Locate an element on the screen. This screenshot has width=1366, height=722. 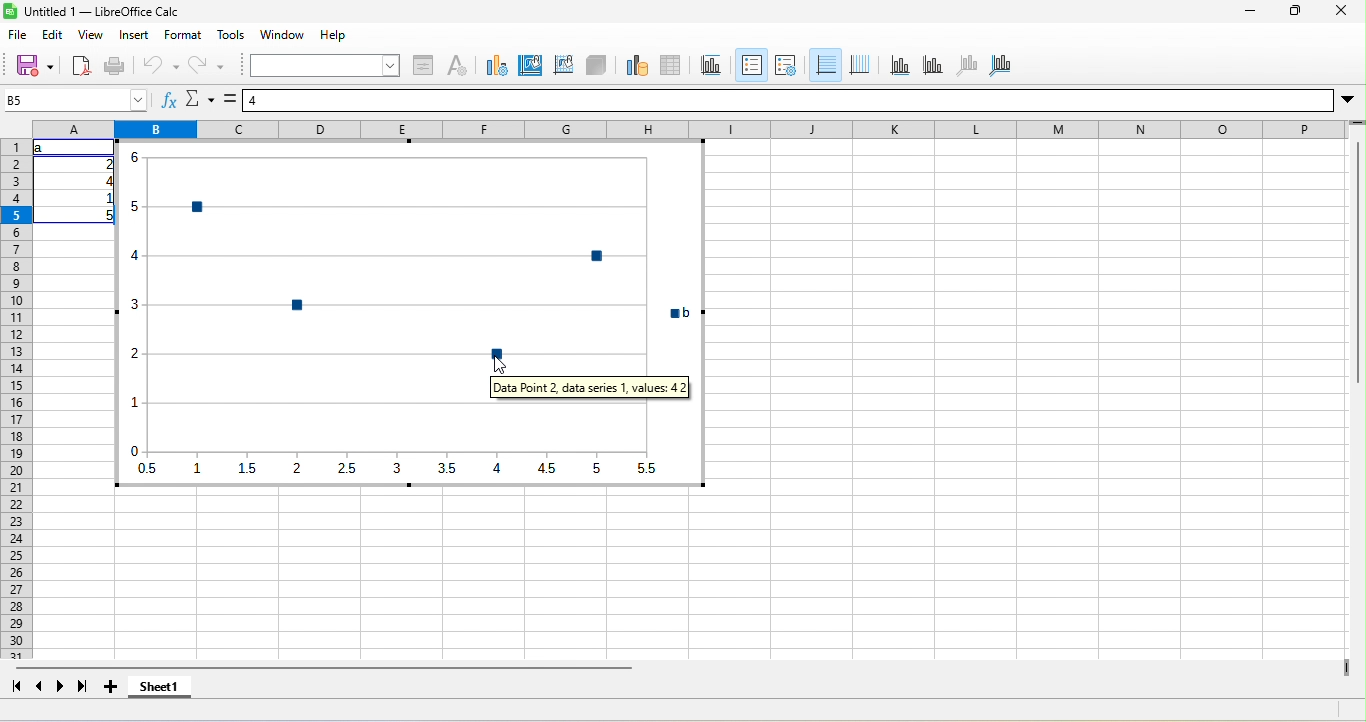
add sheet is located at coordinates (111, 686).